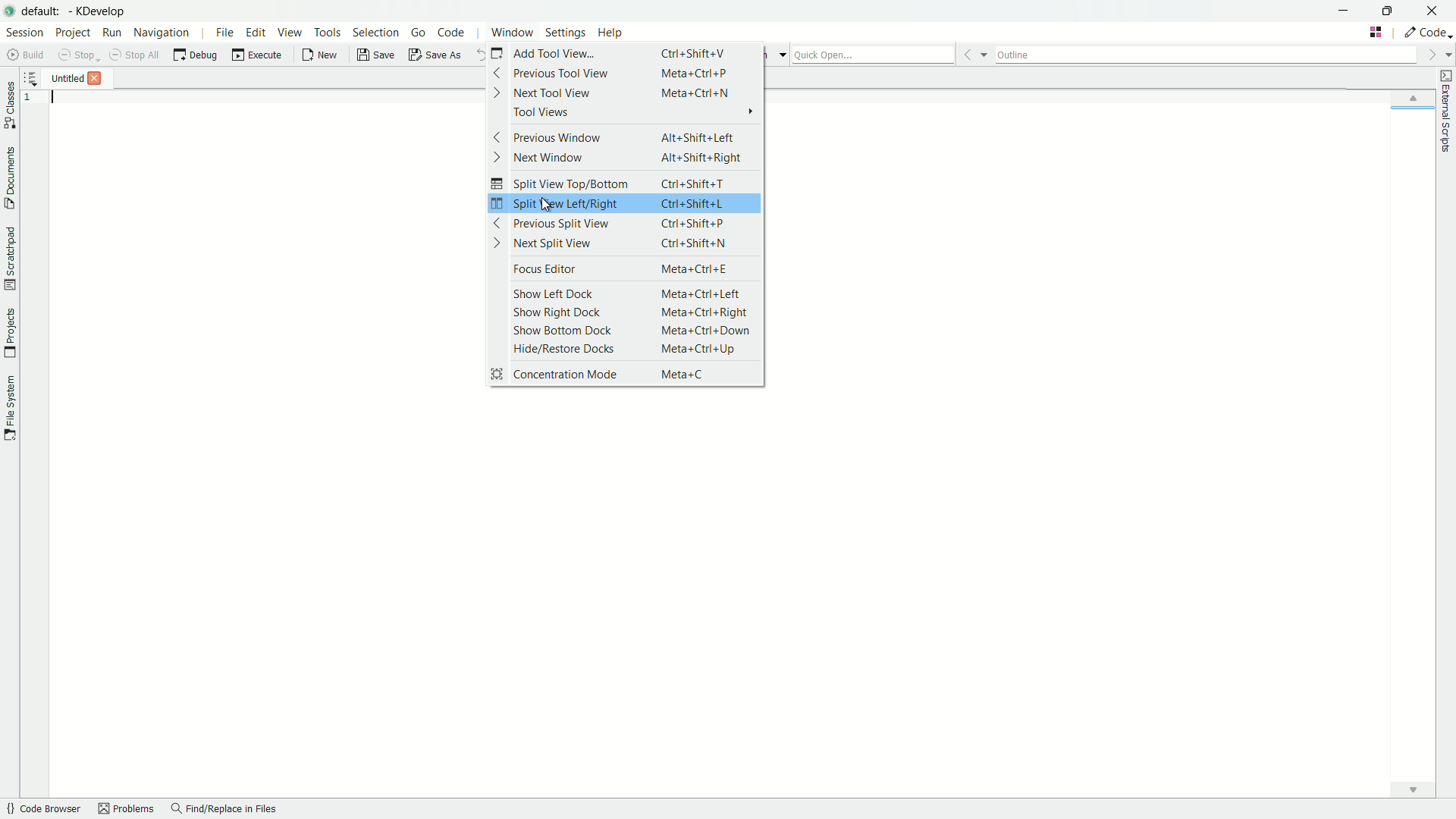 This screenshot has width=1456, height=819. What do you see at coordinates (9, 334) in the screenshot?
I see `toggle projects` at bounding box center [9, 334].